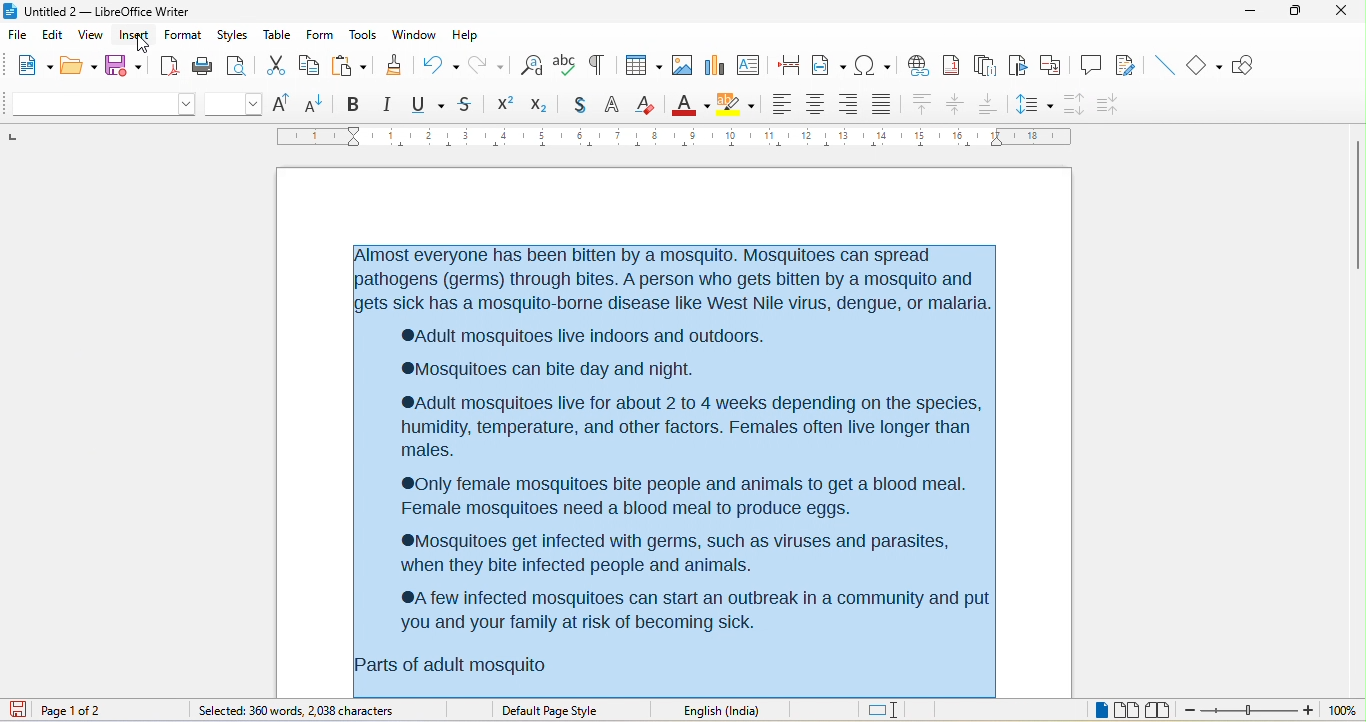 Image resolution: width=1366 pixels, height=722 pixels. I want to click on align bottom, so click(986, 104).